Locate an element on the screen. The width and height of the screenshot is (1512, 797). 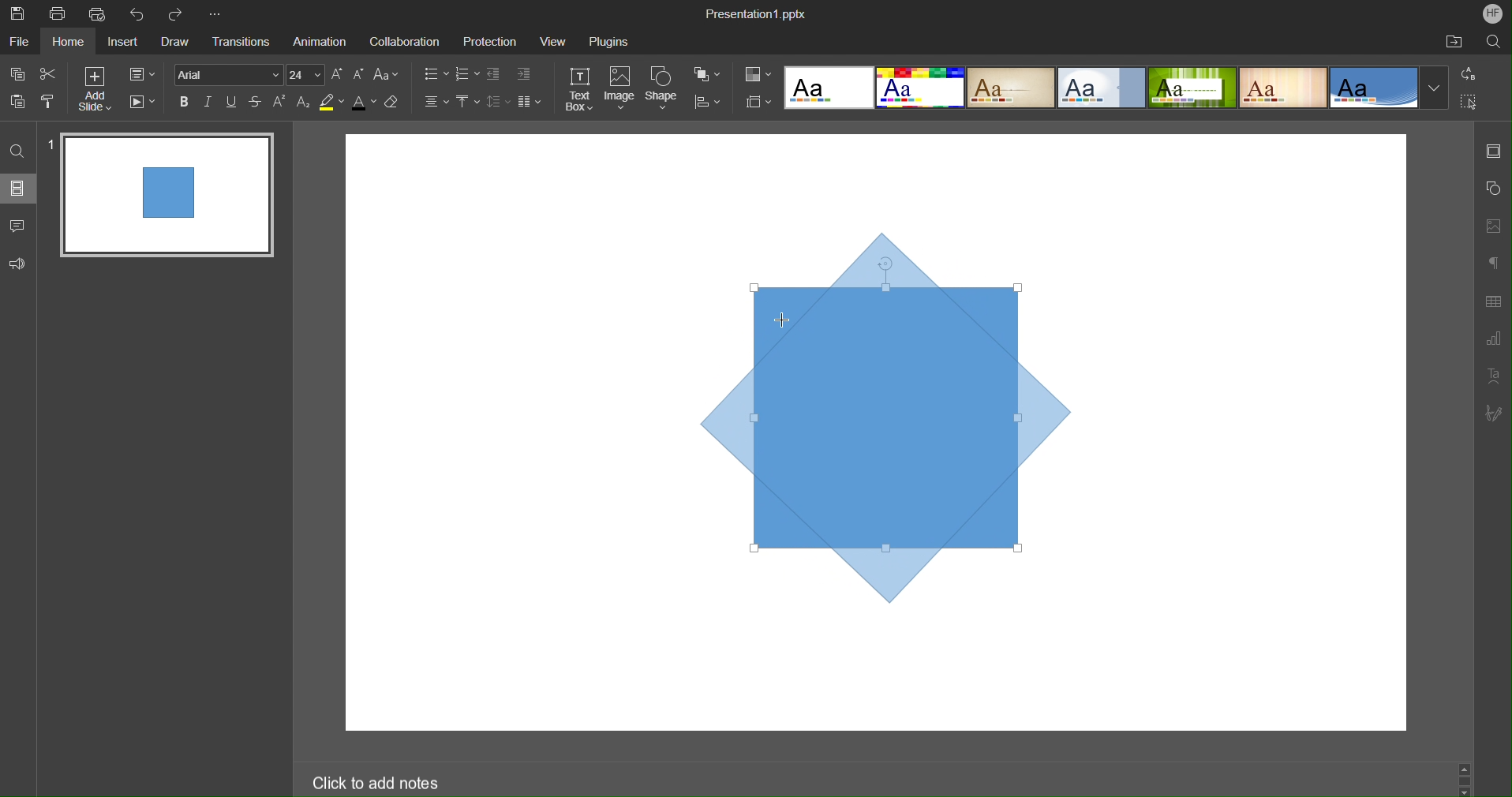
Underline is located at coordinates (230, 102).